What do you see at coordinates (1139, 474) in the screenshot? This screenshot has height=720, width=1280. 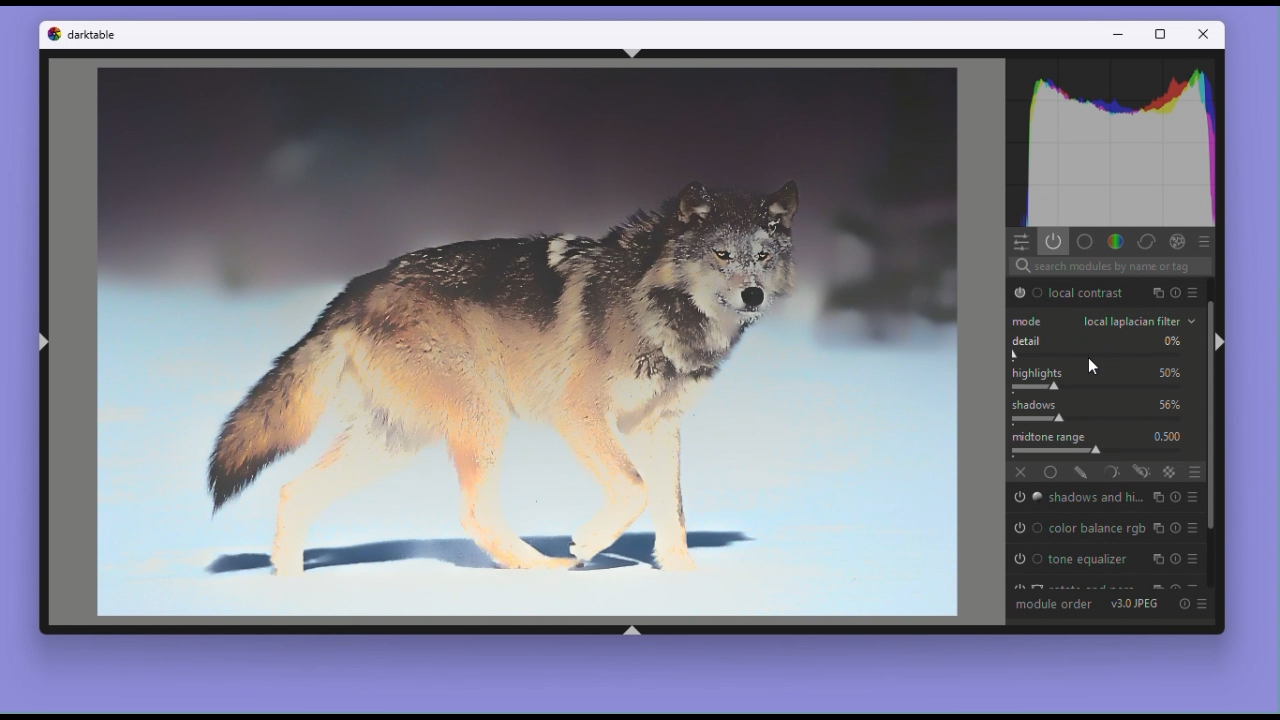 I see `drawn & parametric mask` at bounding box center [1139, 474].